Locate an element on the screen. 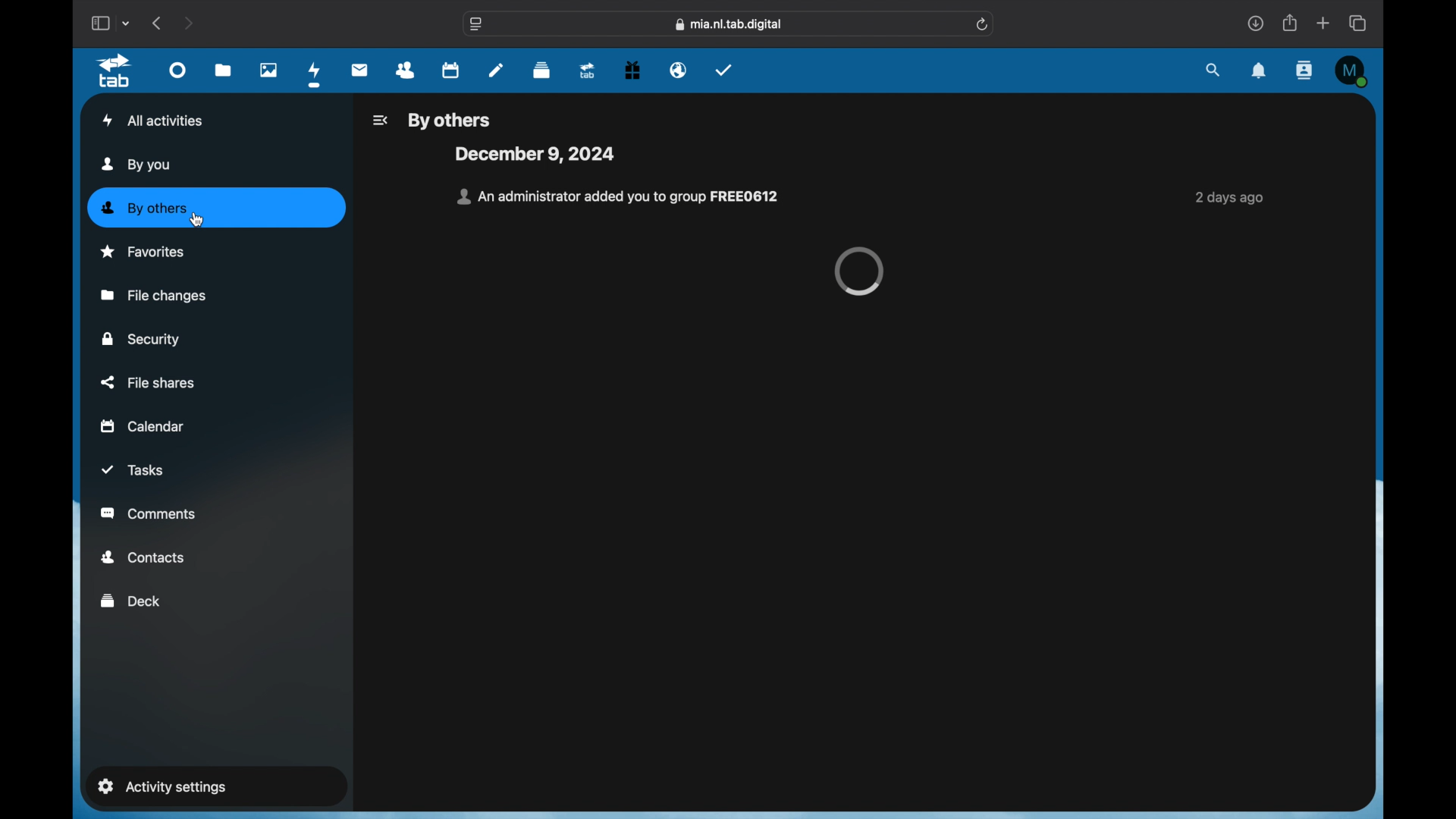 This screenshot has width=1456, height=819. december 9, 2024 is located at coordinates (534, 154).